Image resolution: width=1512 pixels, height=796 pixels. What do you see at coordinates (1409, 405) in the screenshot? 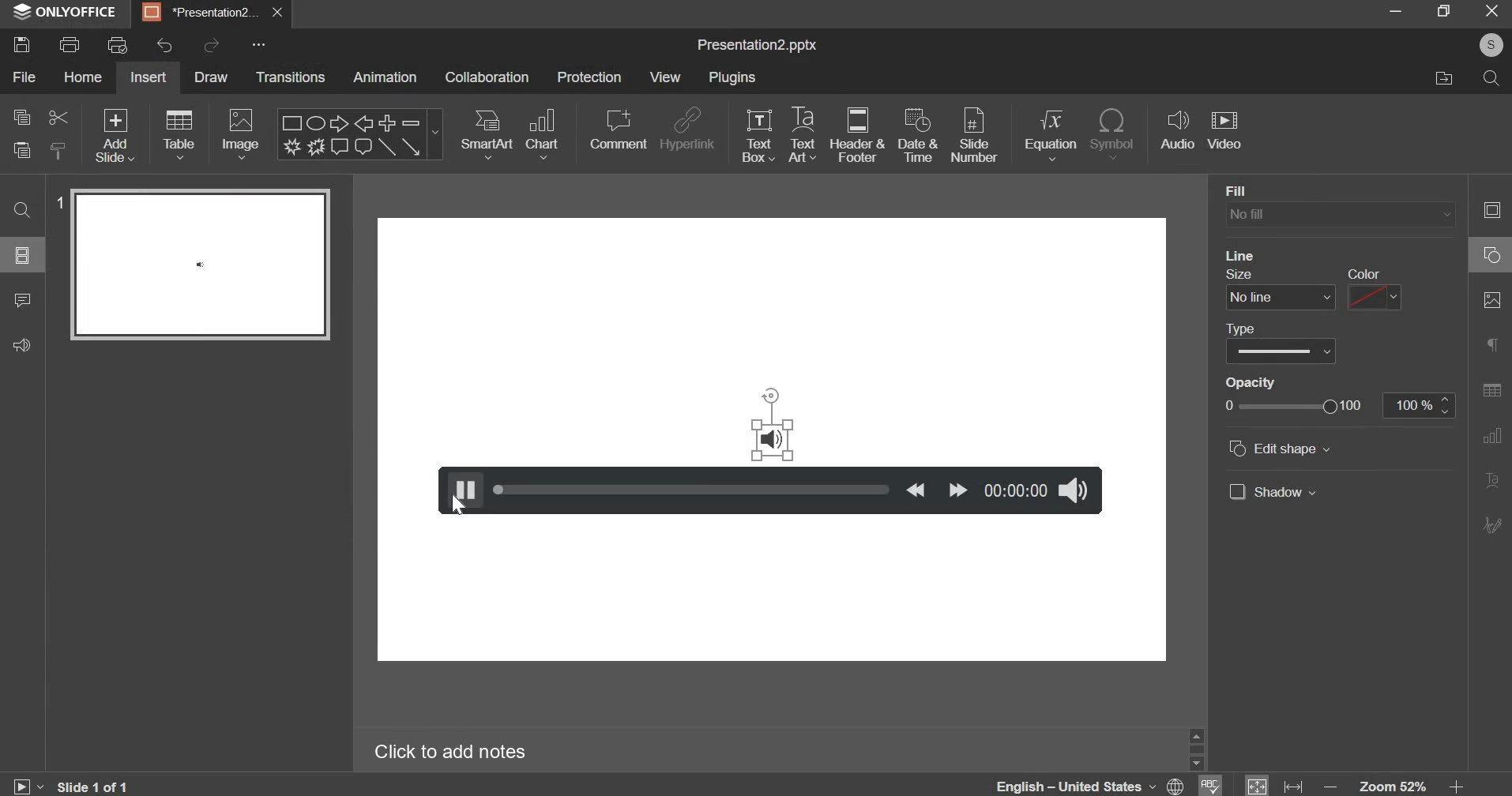
I see `100%` at bounding box center [1409, 405].